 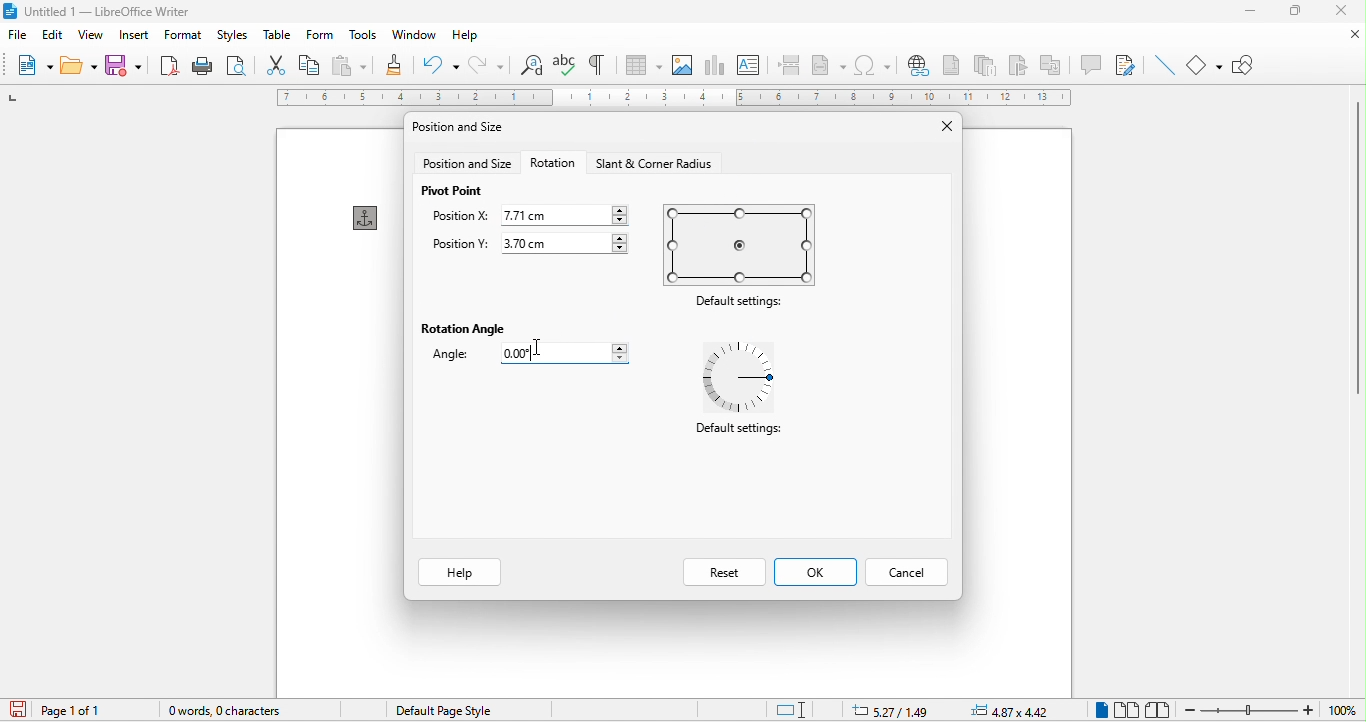 I want to click on edit, so click(x=55, y=35).